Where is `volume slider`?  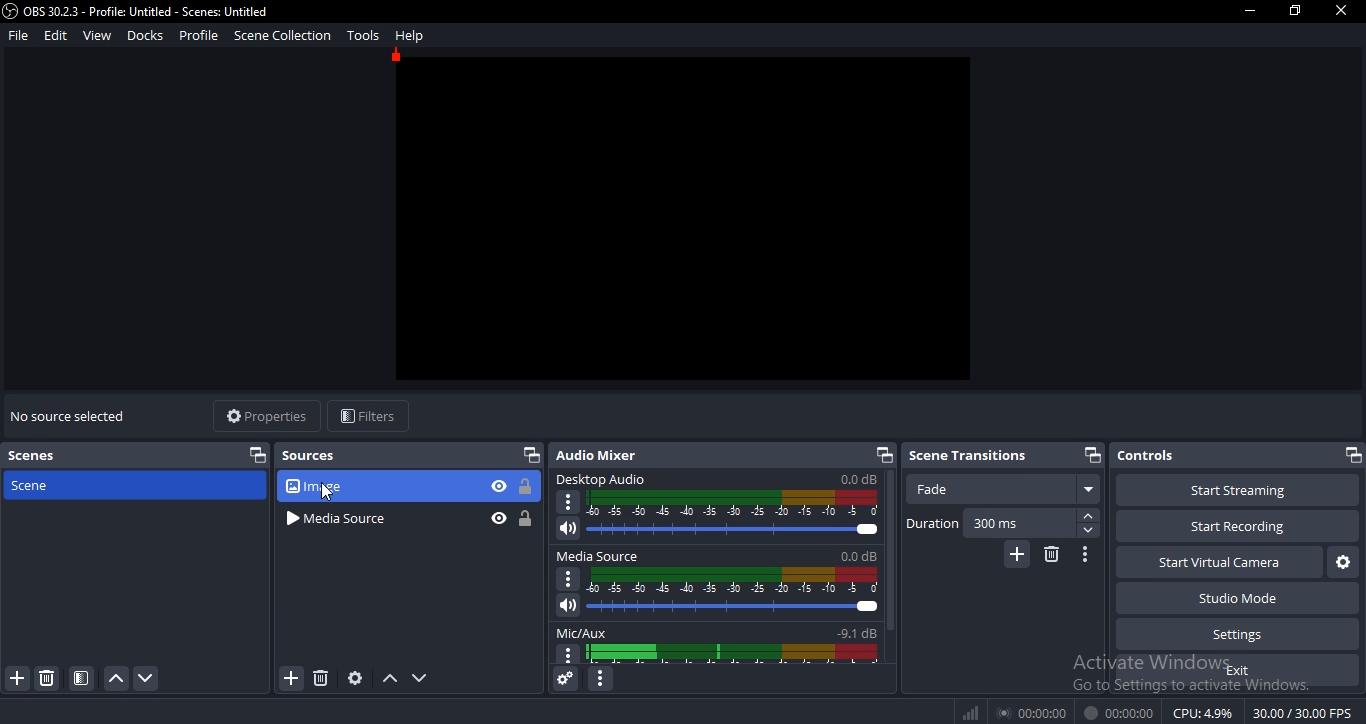 volume slider is located at coordinates (719, 607).